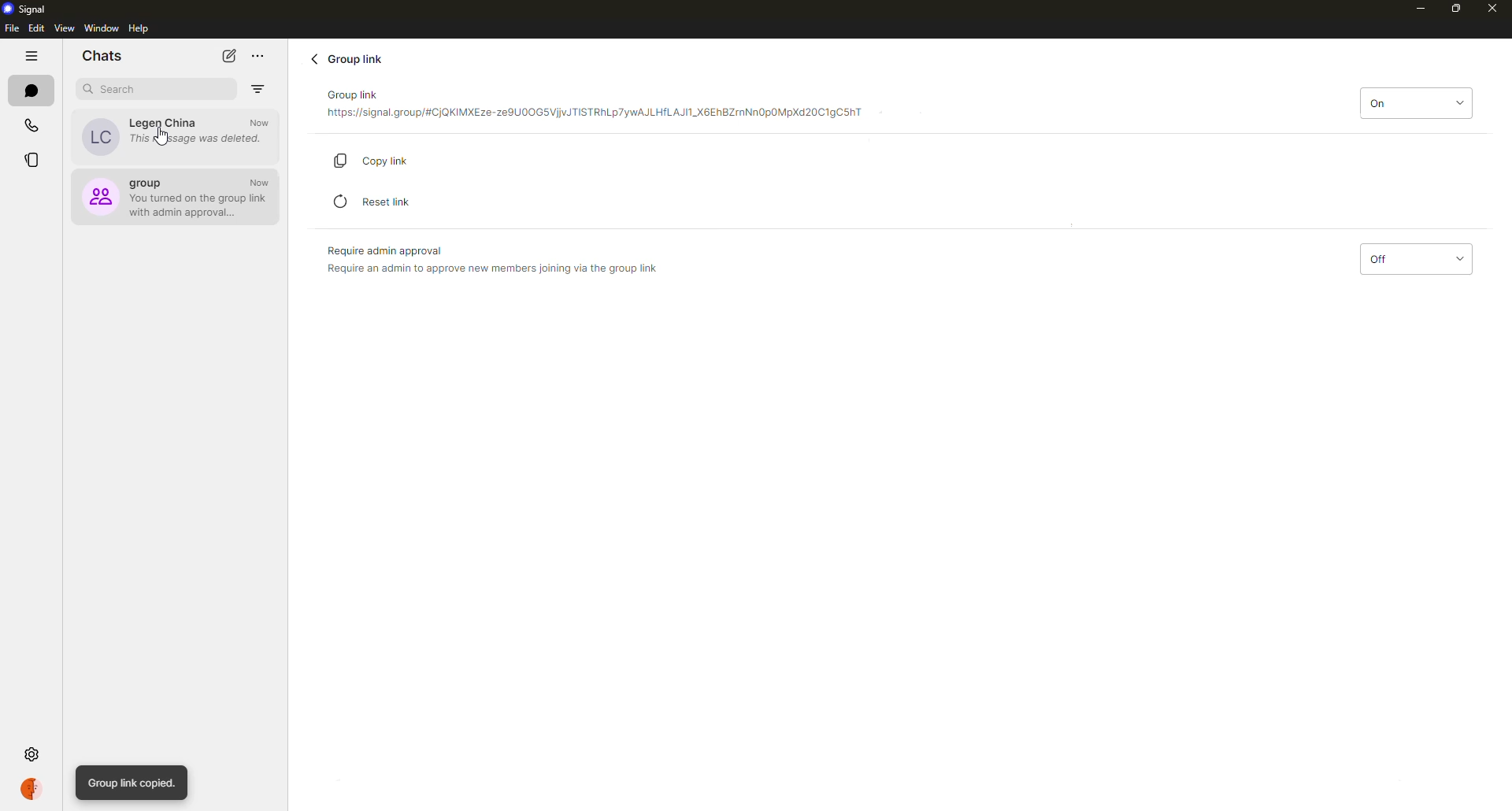 The width and height of the screenshot is (1512, 811). What do you see at coordinates (64, 29) in the screenshot?
I see `view` at bounding box center [64, 29].